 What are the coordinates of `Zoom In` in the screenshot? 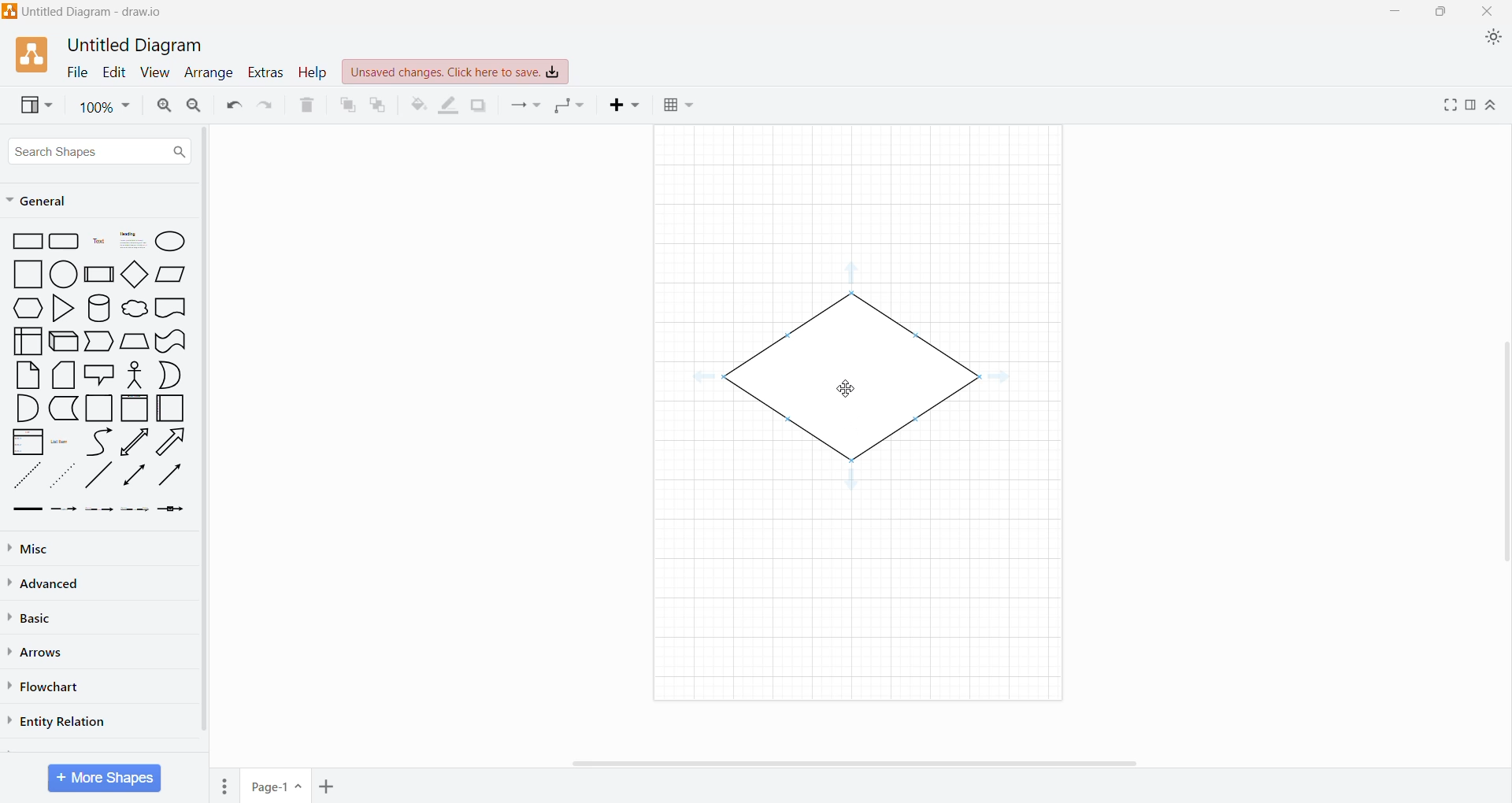 It's located at (163, 105).